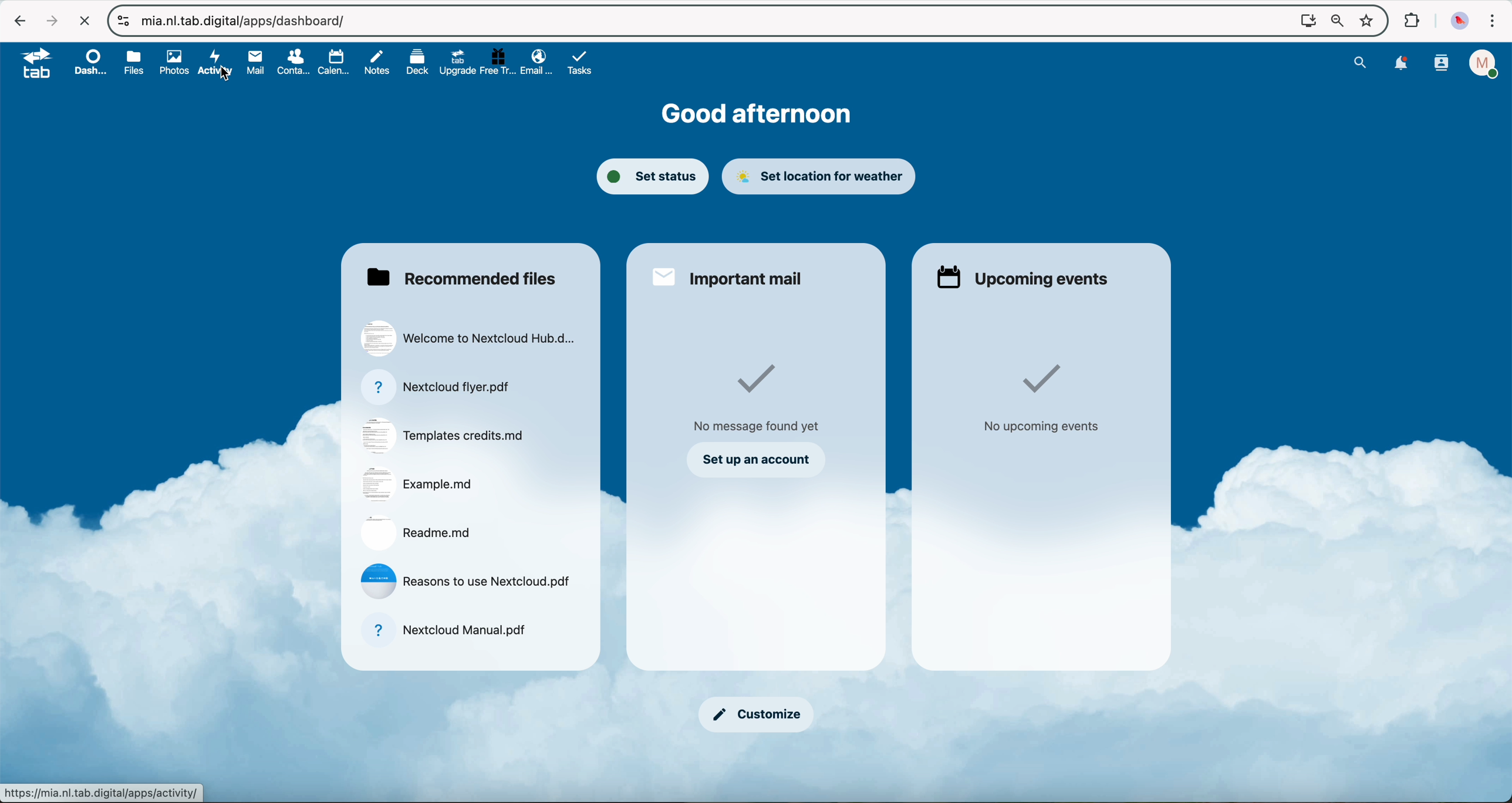  Describe the element at coordinates (446, 436) in the screenshot. I see `file` at that location.